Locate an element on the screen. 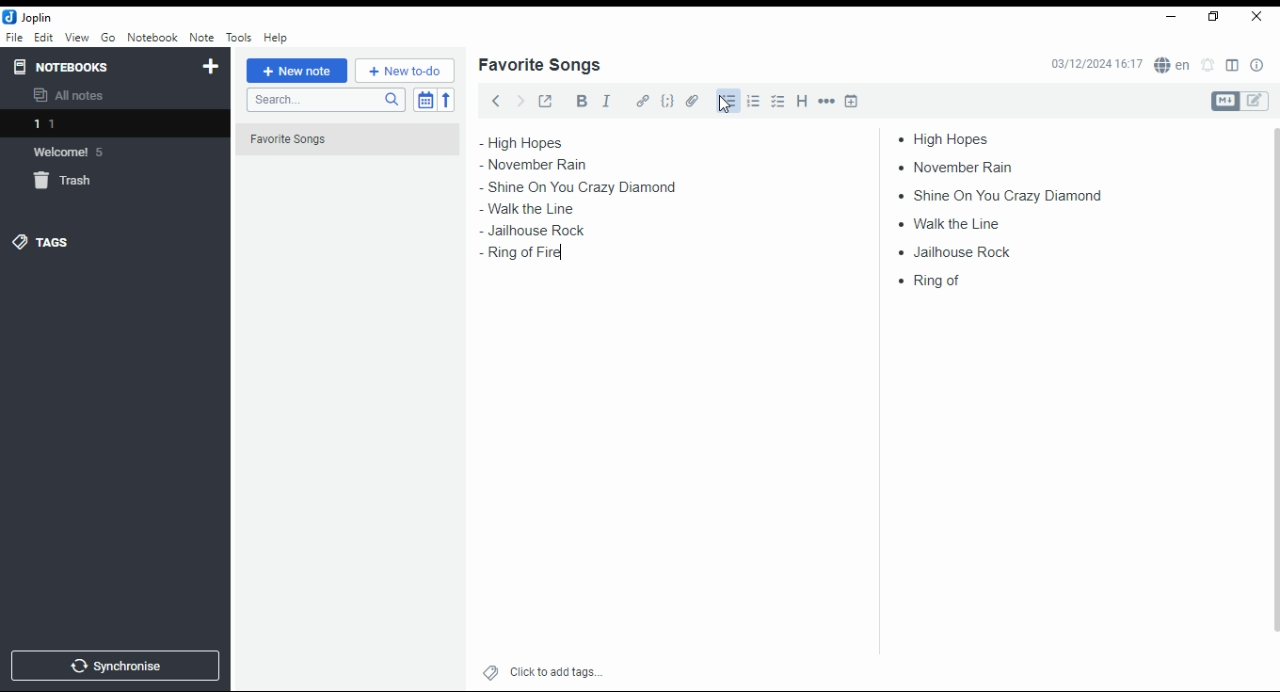 This screenshot has width=1280, height=692. file is located at coordinates (14, 36).